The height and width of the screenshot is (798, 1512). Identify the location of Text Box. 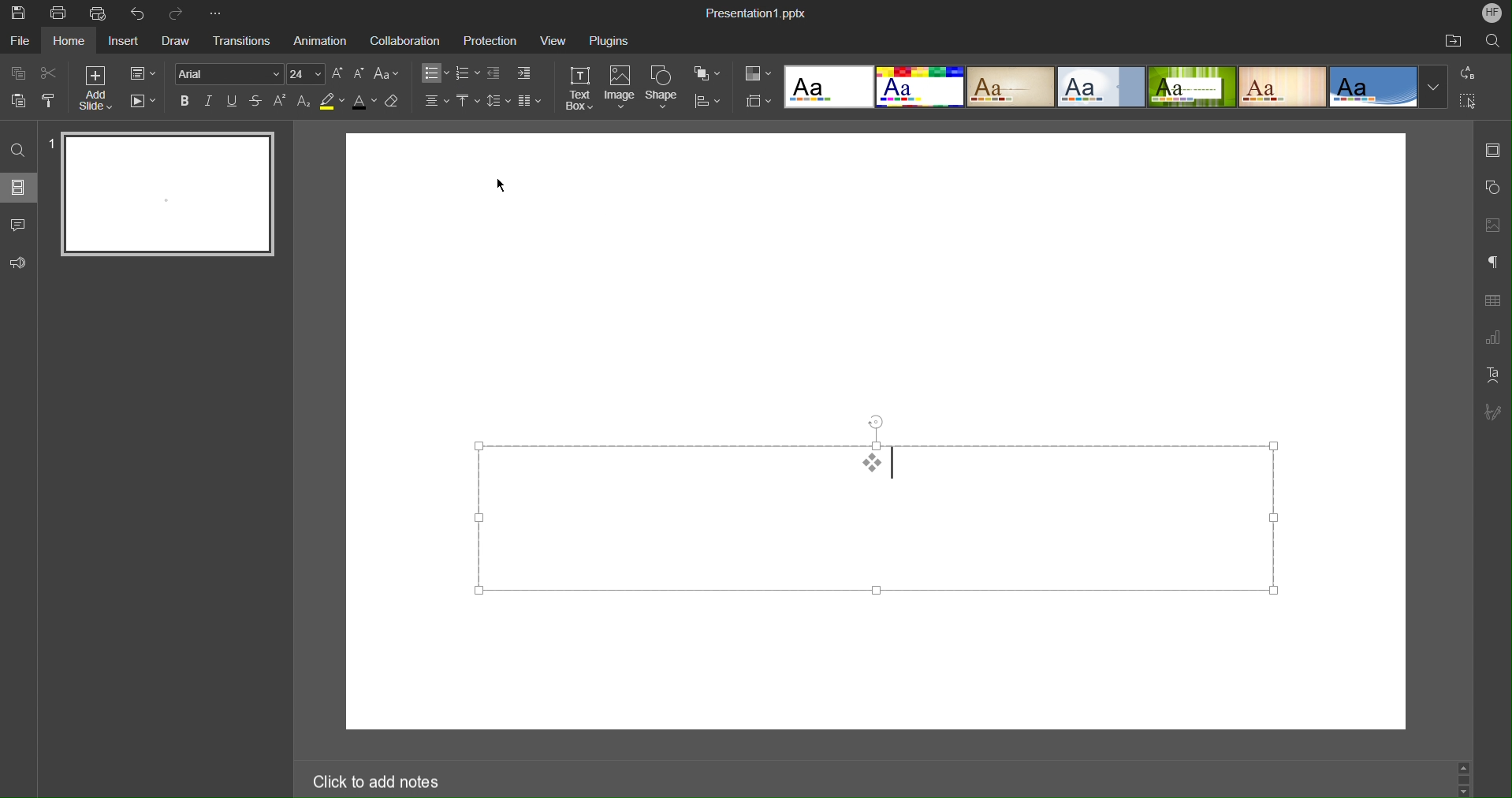
(579, 88).